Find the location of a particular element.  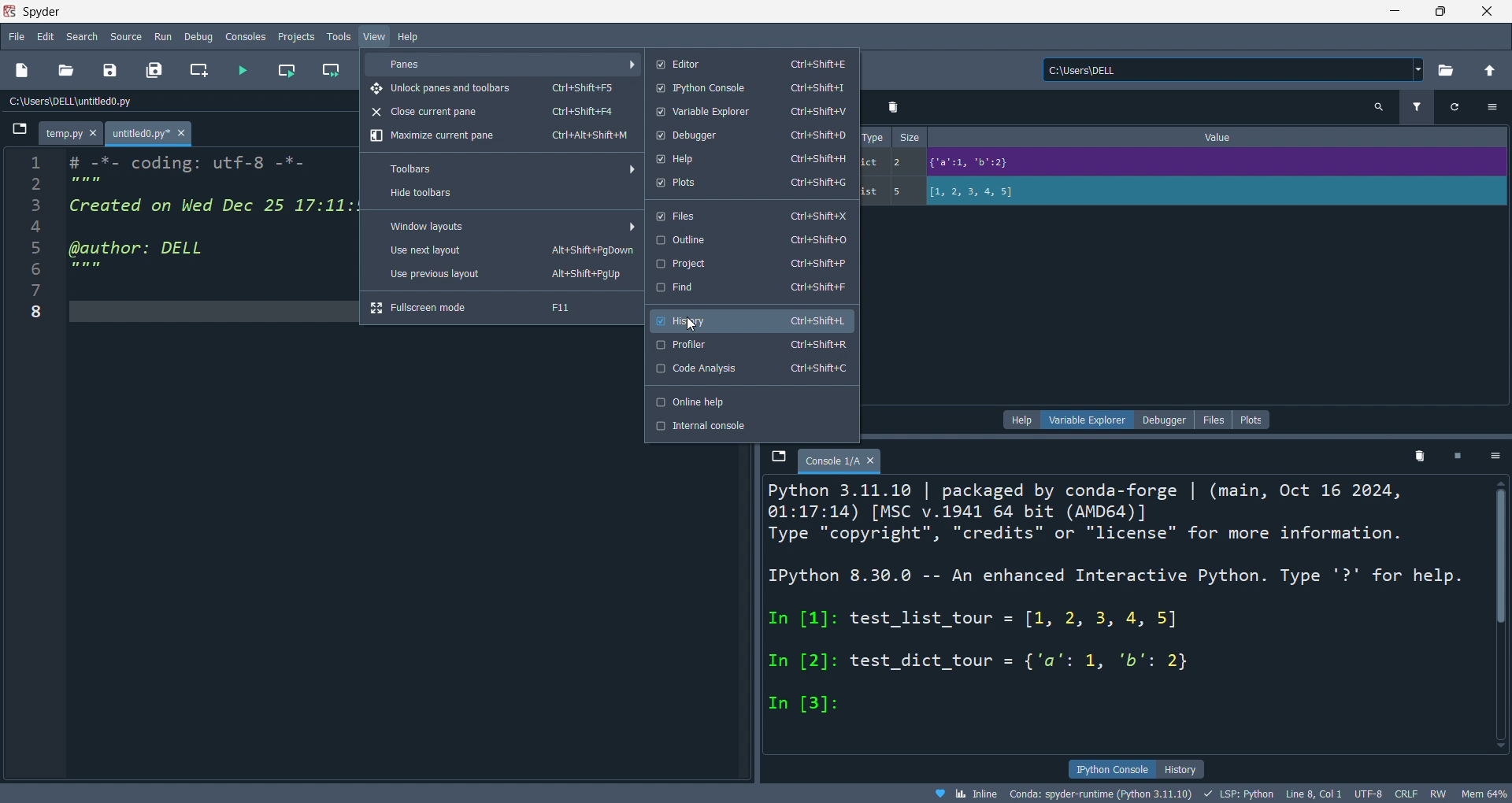

ipython console is located at coordinates (1112, 768).